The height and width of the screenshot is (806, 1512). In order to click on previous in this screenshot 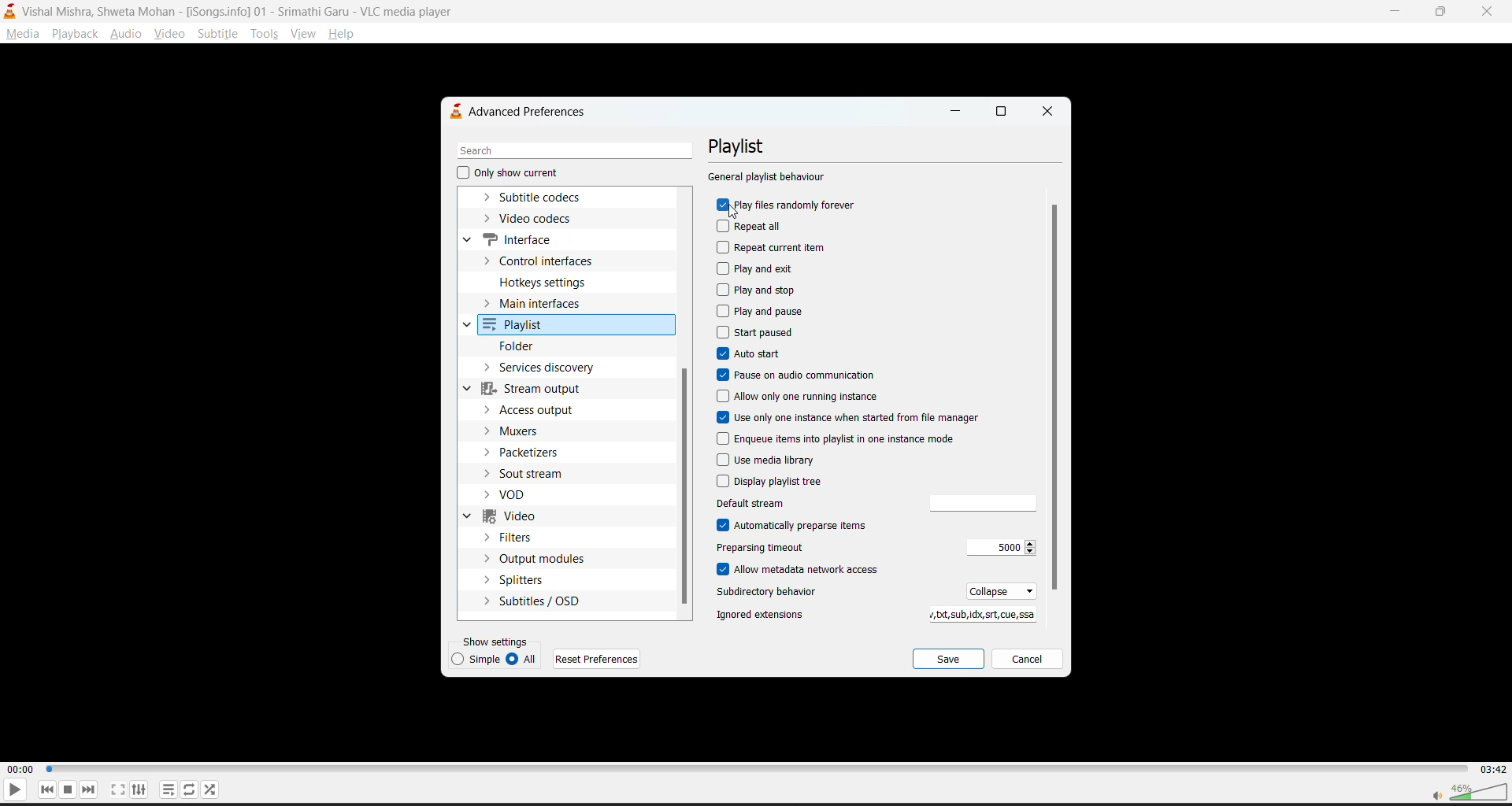, I will do `click(48, 789)`.